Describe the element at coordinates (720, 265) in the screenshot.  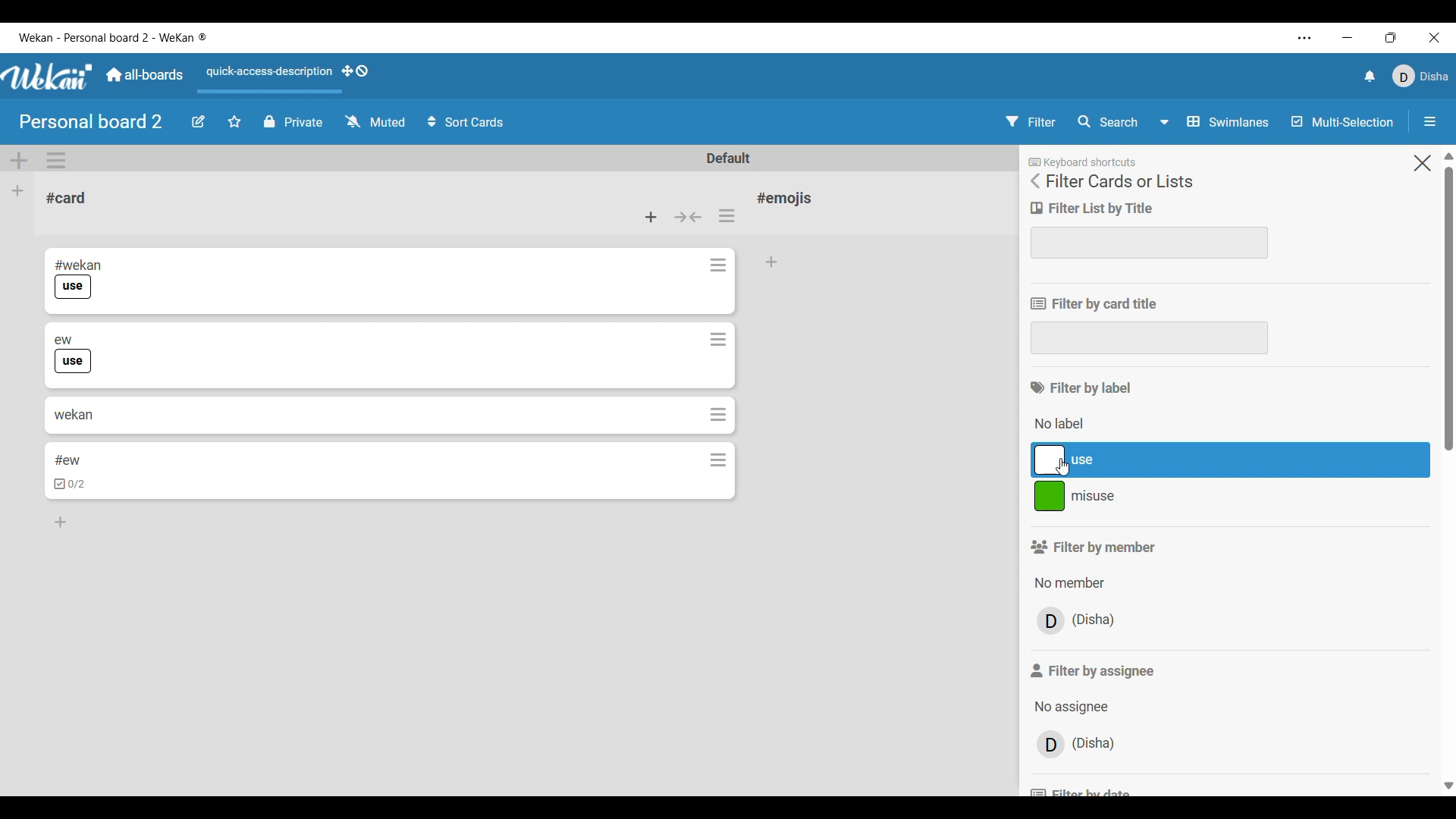
I see `Card actions for respective card` at that location.